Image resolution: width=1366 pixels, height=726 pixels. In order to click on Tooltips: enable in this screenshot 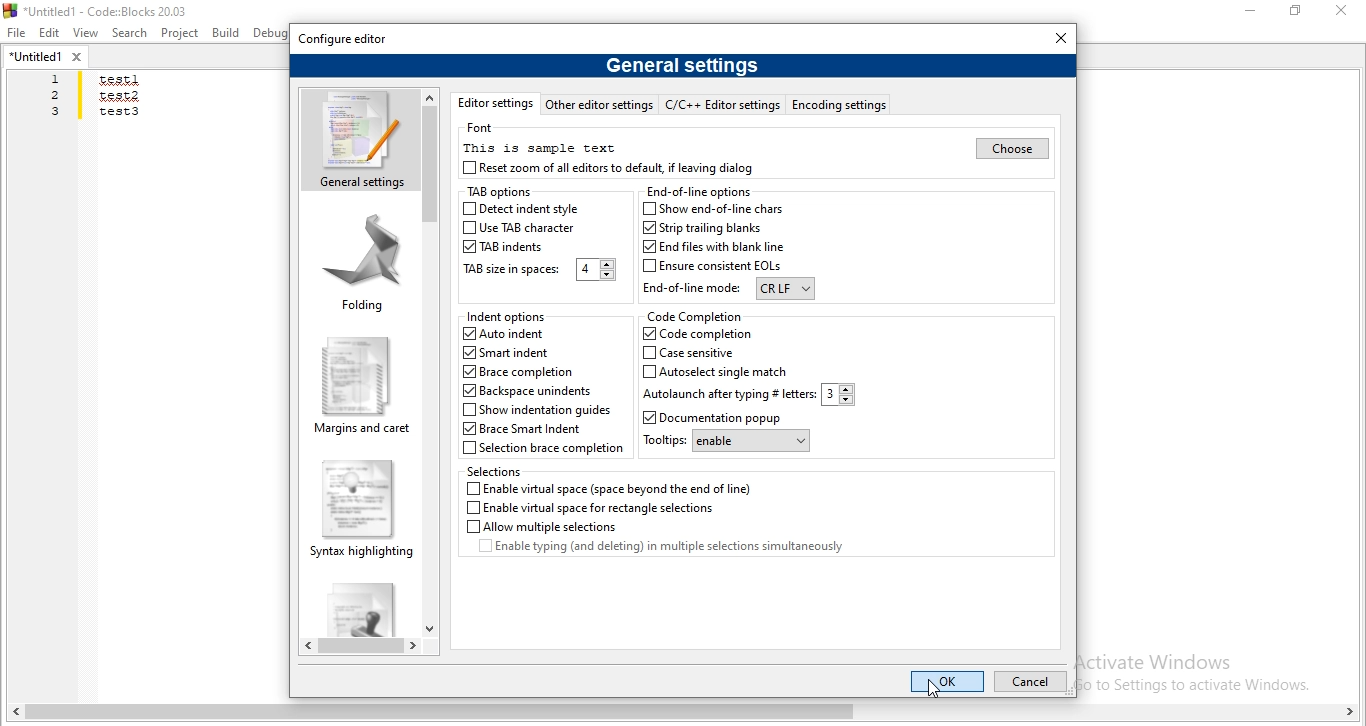, I will do `click(725, 442)`.